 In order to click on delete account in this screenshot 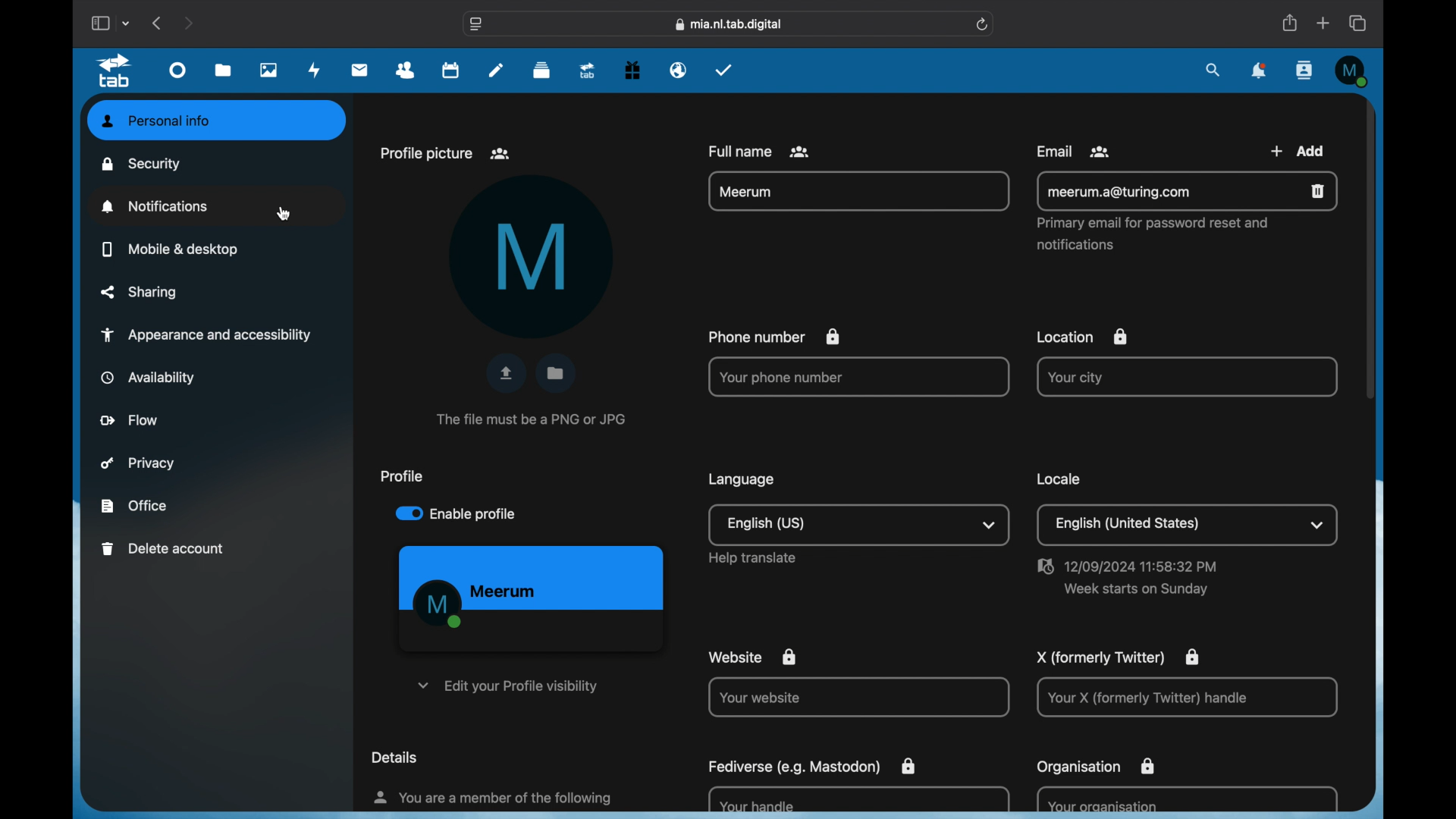, I will do `click(164, 549)`.